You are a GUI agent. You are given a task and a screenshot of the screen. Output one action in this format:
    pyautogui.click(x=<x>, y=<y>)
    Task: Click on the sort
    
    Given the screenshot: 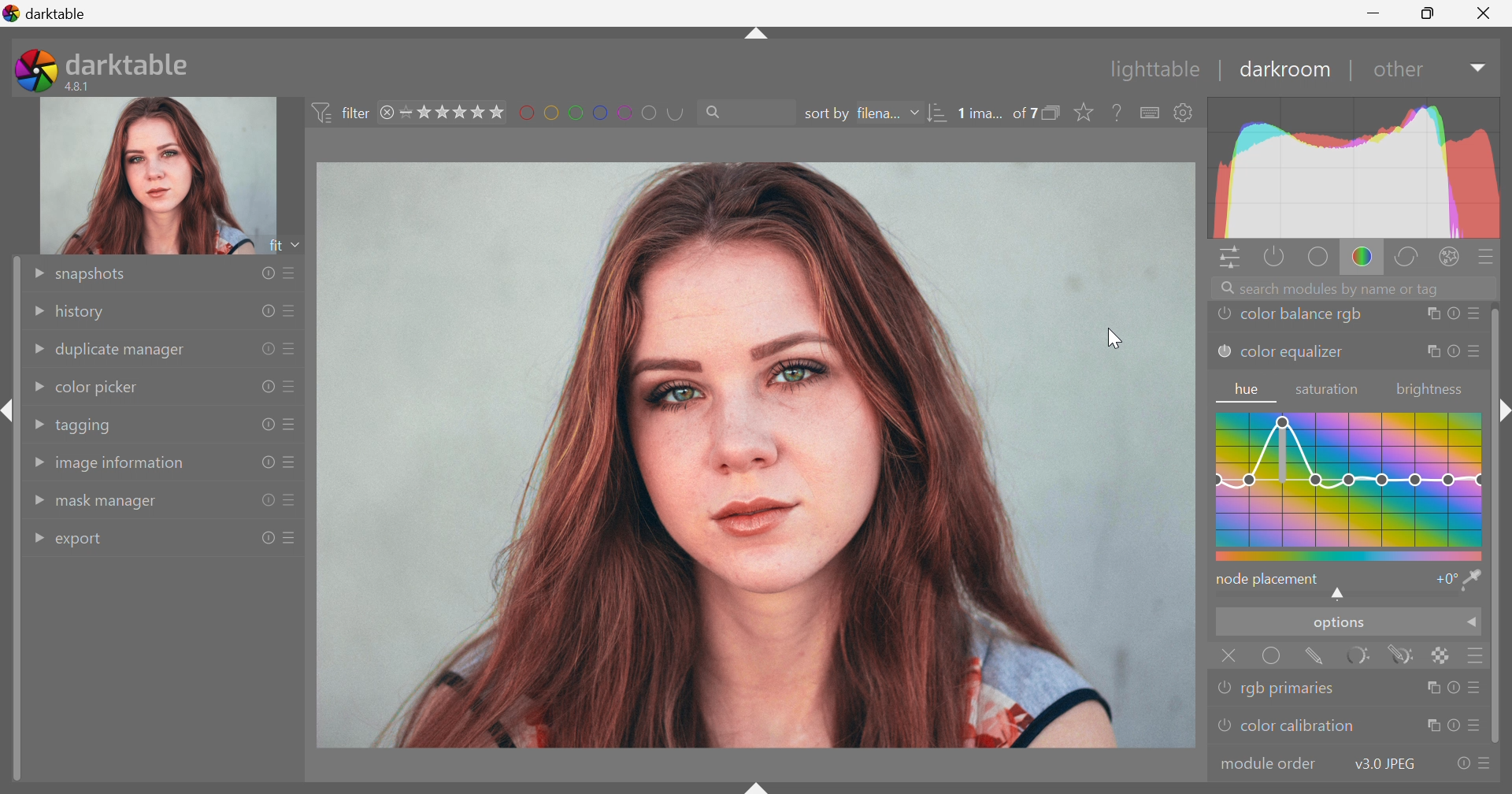 What is the action you would take?
    pyautogui.click(x=937, y=114)
    